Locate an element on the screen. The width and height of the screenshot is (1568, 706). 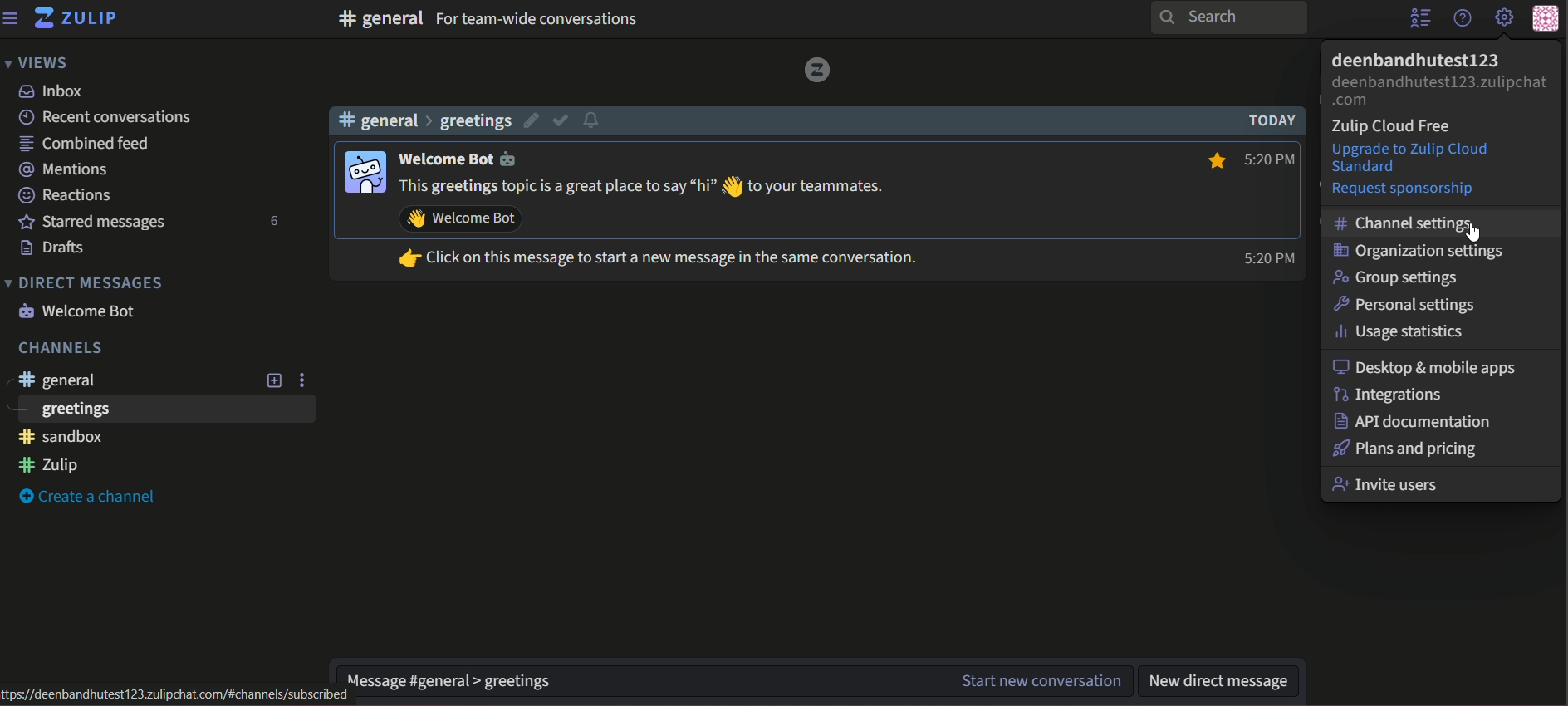
text is located at coordinates (538, 20).